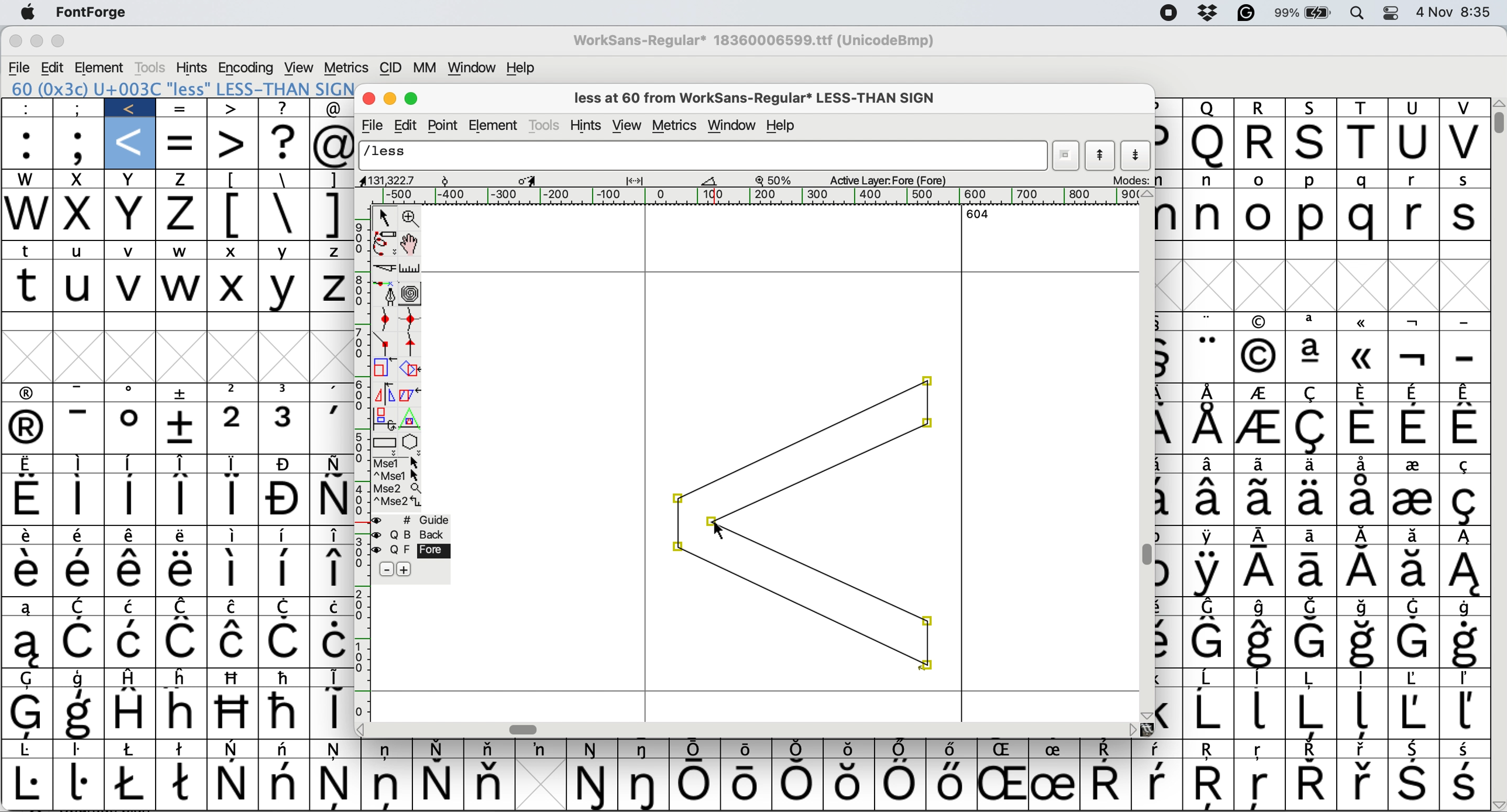  I want to click on m, so click(1168, 181).